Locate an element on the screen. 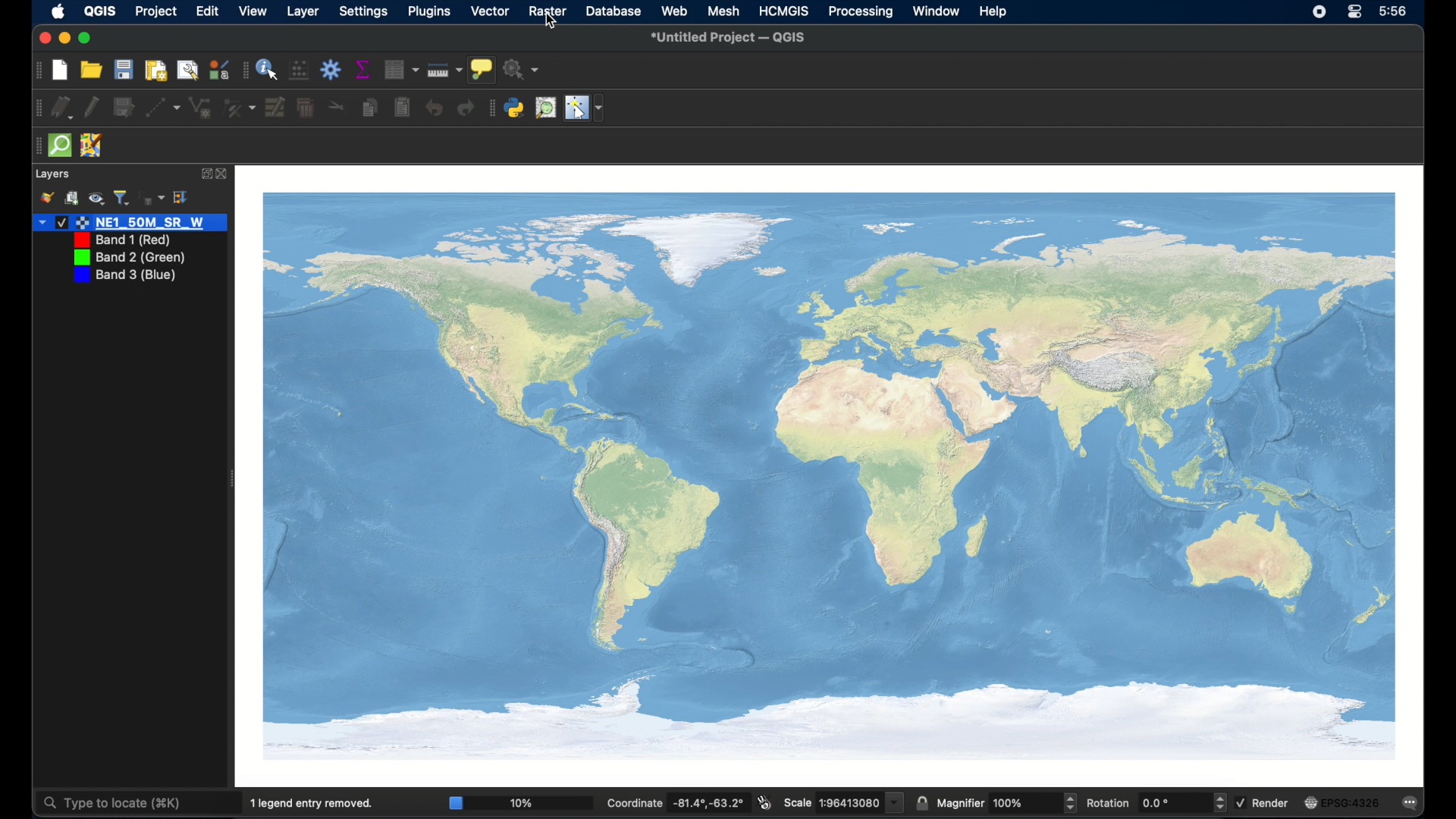  drag handle is located at coordinates (36, 146).